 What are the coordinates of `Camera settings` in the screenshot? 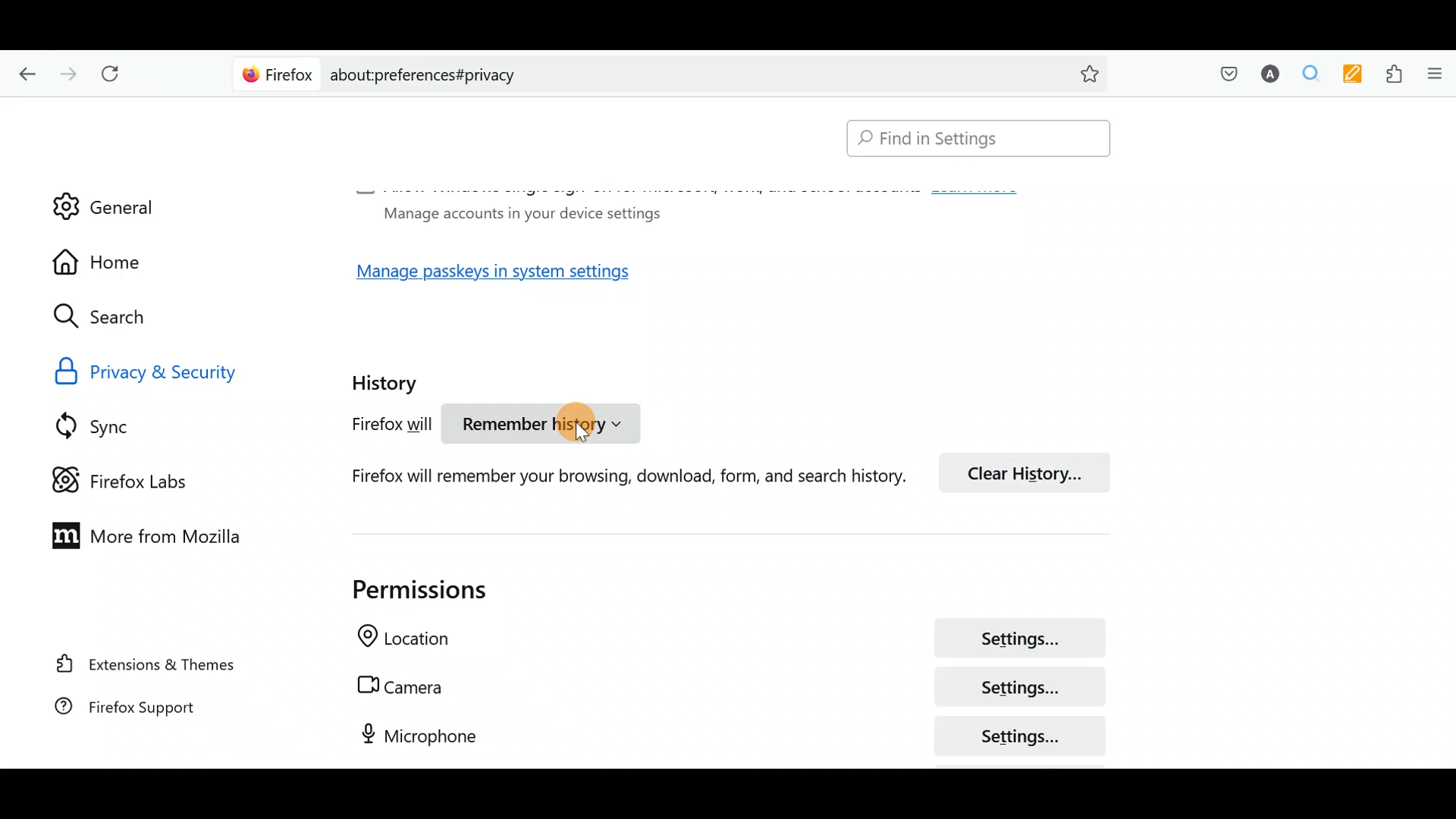 It's located at (723, 687).